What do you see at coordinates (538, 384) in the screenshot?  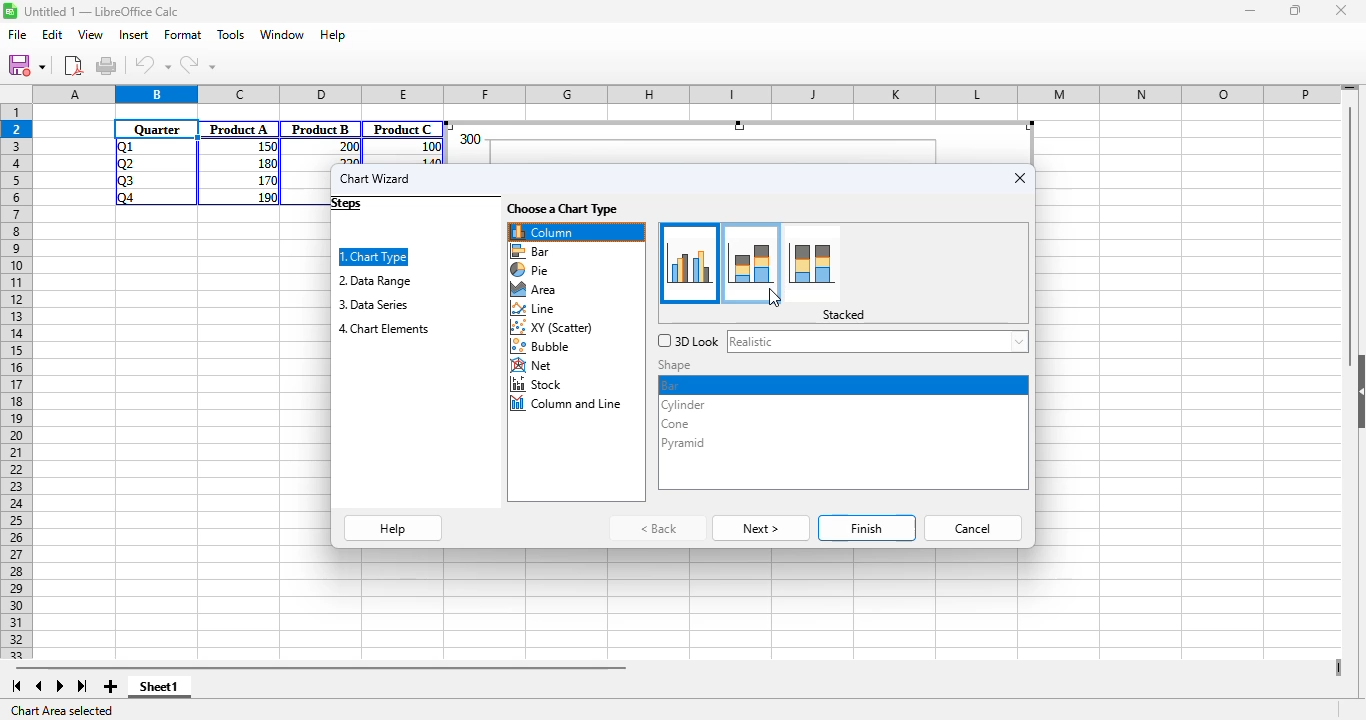 I see `stock` at bounding box center [538, 384].